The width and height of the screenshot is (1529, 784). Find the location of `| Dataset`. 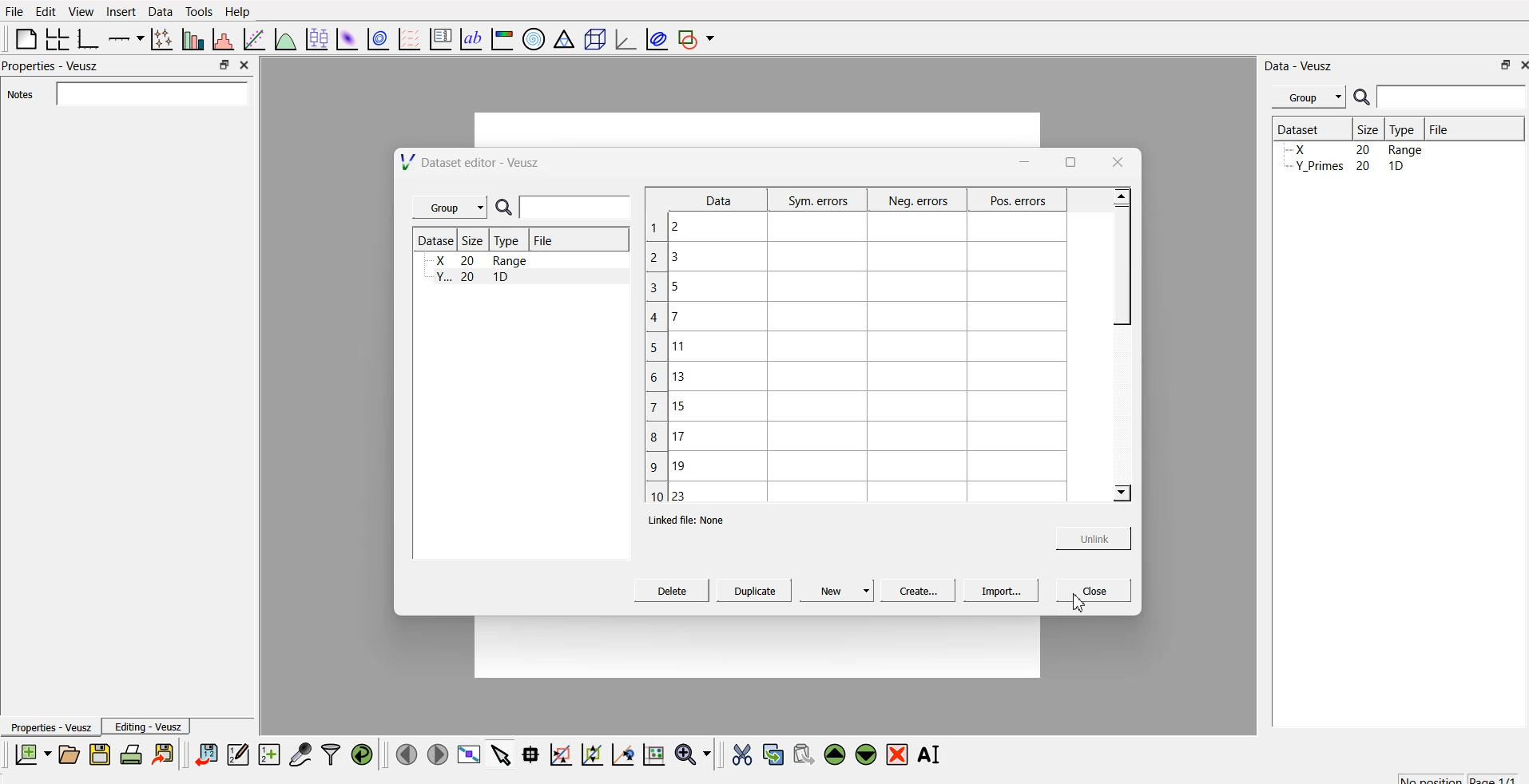

| Dataset is located at coordinates (1298, 128).